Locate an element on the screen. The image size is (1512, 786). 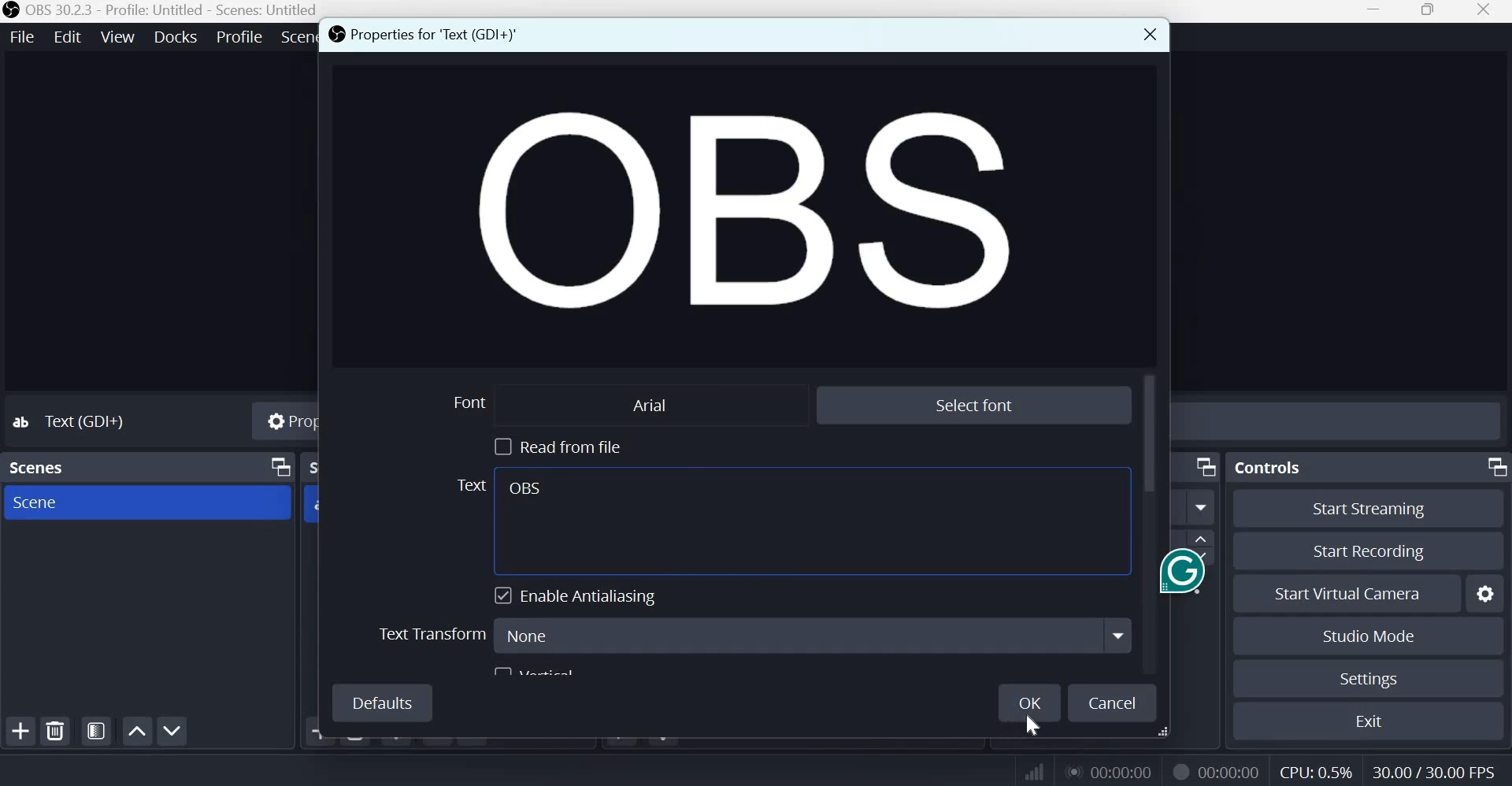
30.00/30.00 FPS is located at coordinates (1432, 771).